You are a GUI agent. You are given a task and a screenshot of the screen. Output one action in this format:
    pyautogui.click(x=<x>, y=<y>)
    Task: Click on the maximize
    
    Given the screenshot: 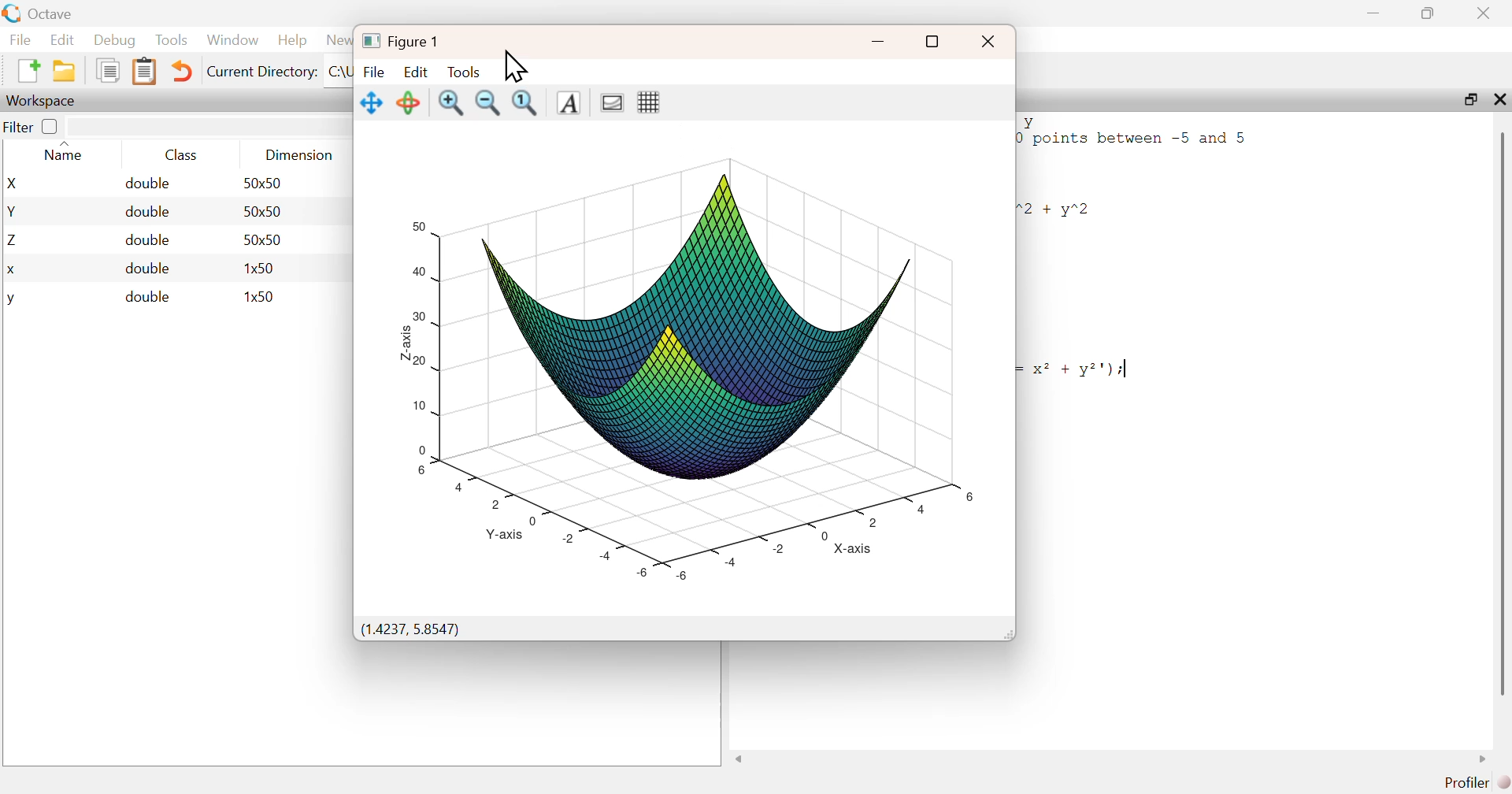 What is the action you would take?
    pyautogui.click(x=1469, y=98)
    